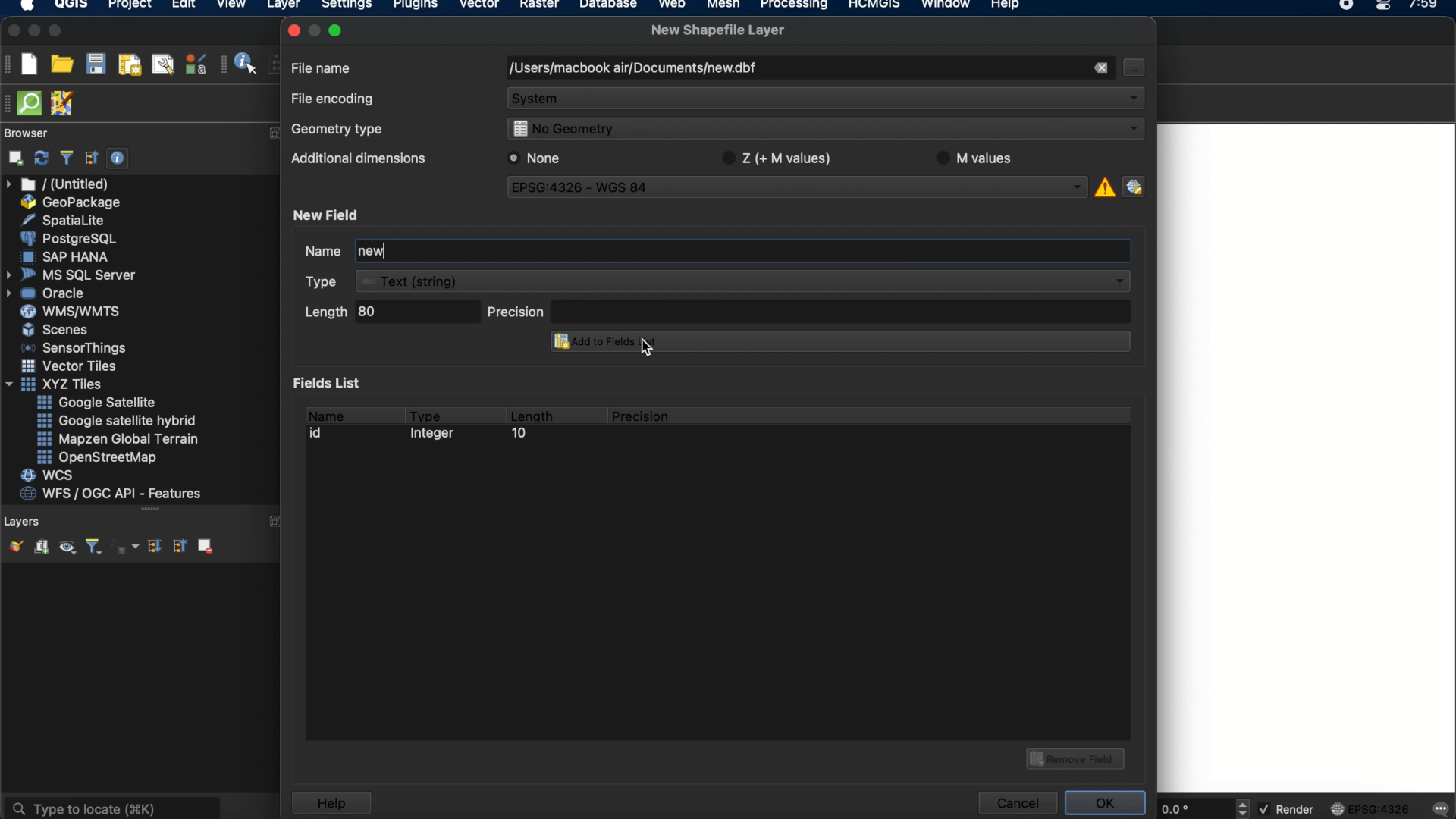 The width and height of the screenshot is (1456, 819). What do you see at coordinates (322, 67) in the screenshot?
I see `file name` at bounding box center [322, 67].